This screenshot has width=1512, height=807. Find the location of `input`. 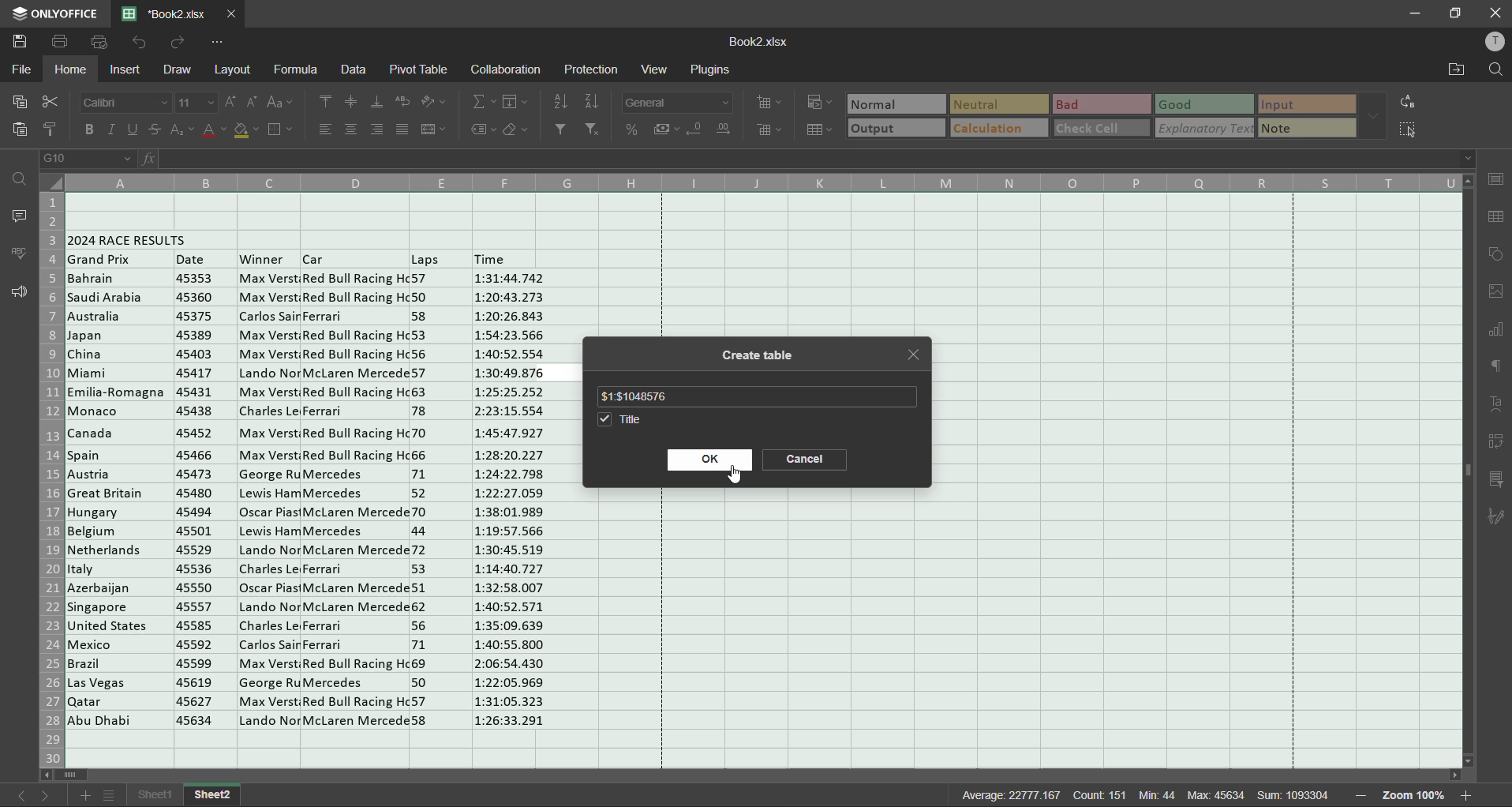

input is located at coordinates (1304, 106).